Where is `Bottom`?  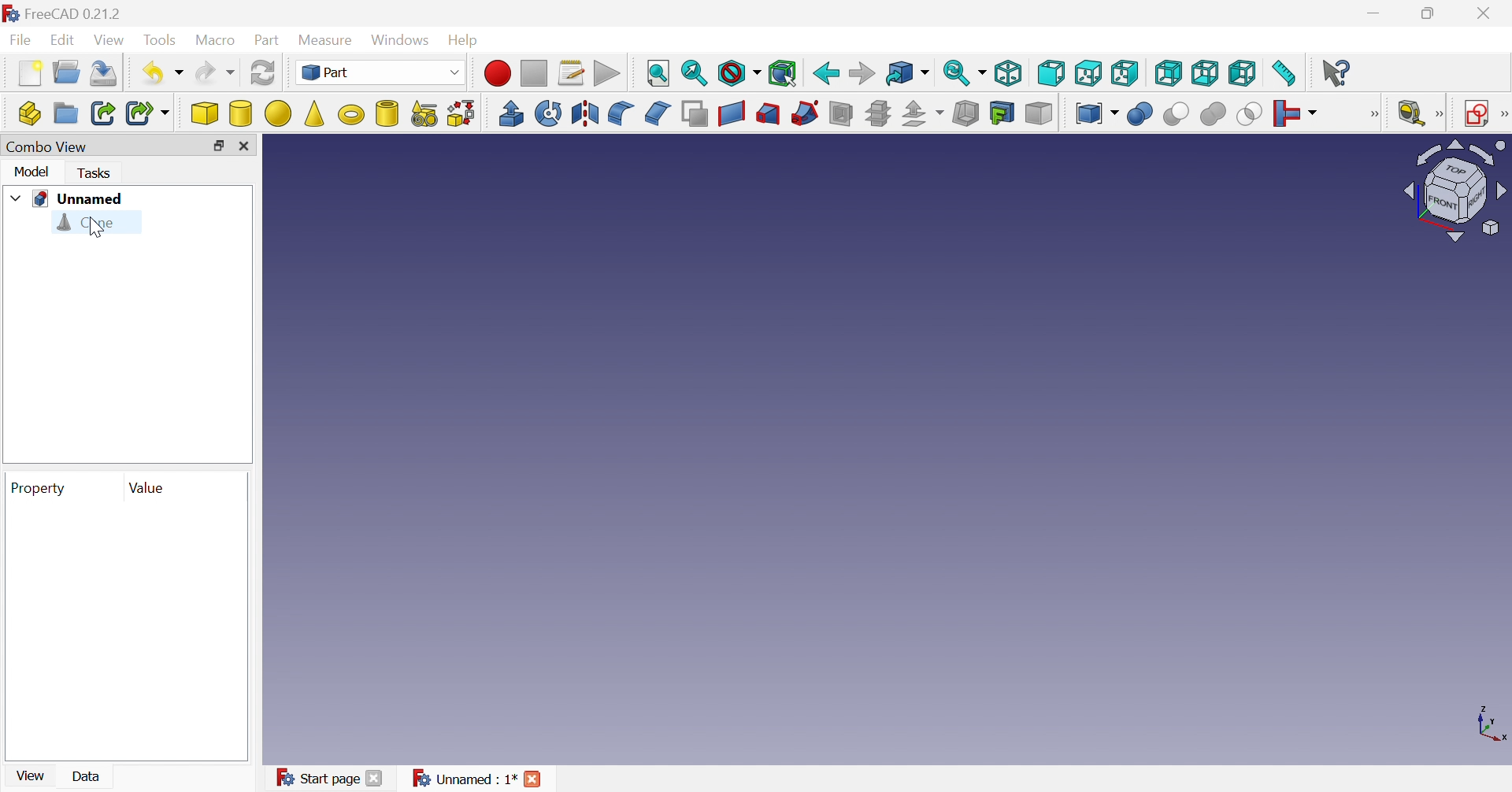
Bottom is located at coordinates (1206, 73).